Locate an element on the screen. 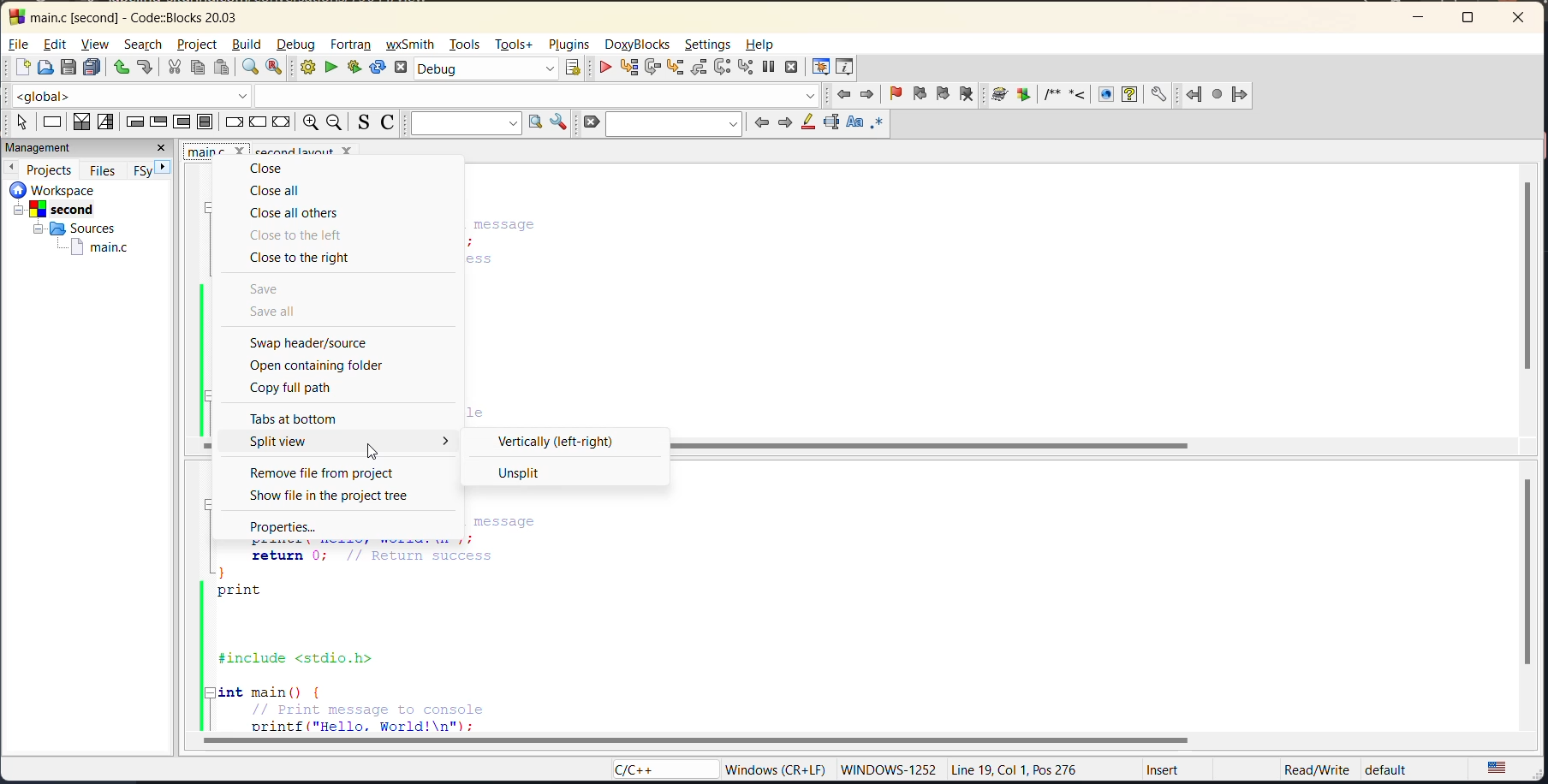 The height and width of the screenshot is (784, 1548). split view is located at coordinates (289, 441).